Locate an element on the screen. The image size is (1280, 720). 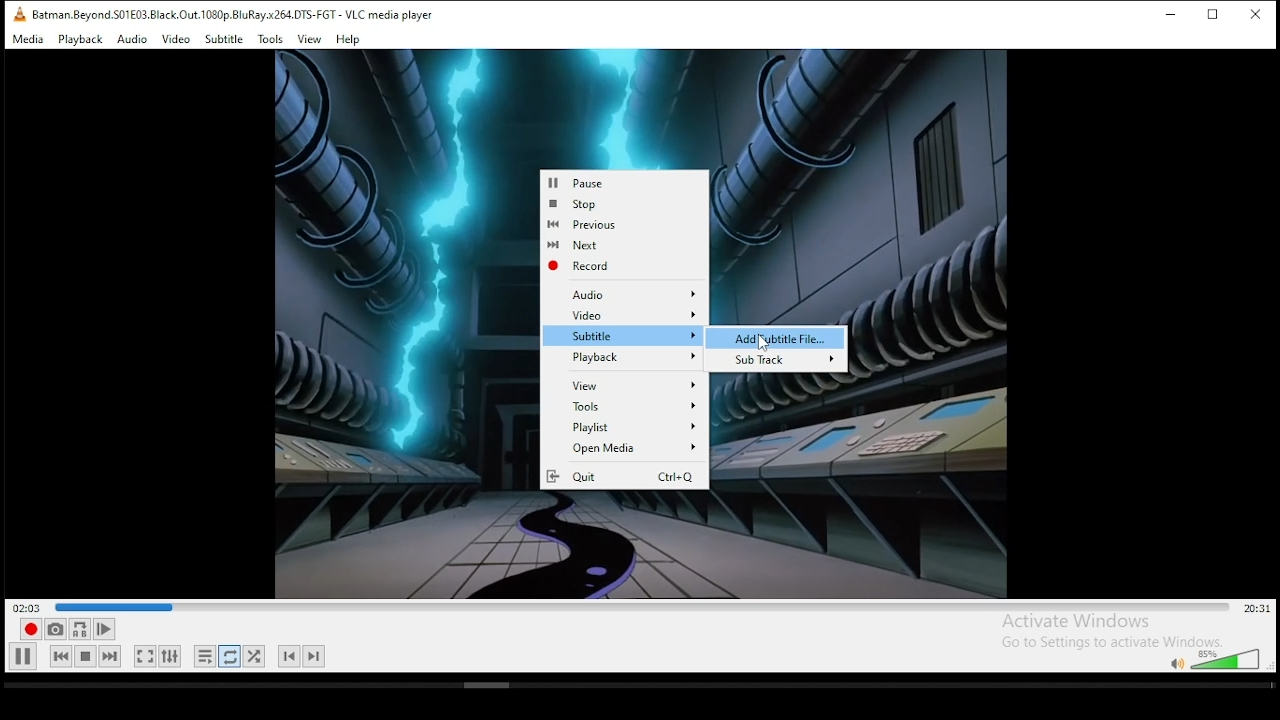
Pause is located at coordinates (621, 180).